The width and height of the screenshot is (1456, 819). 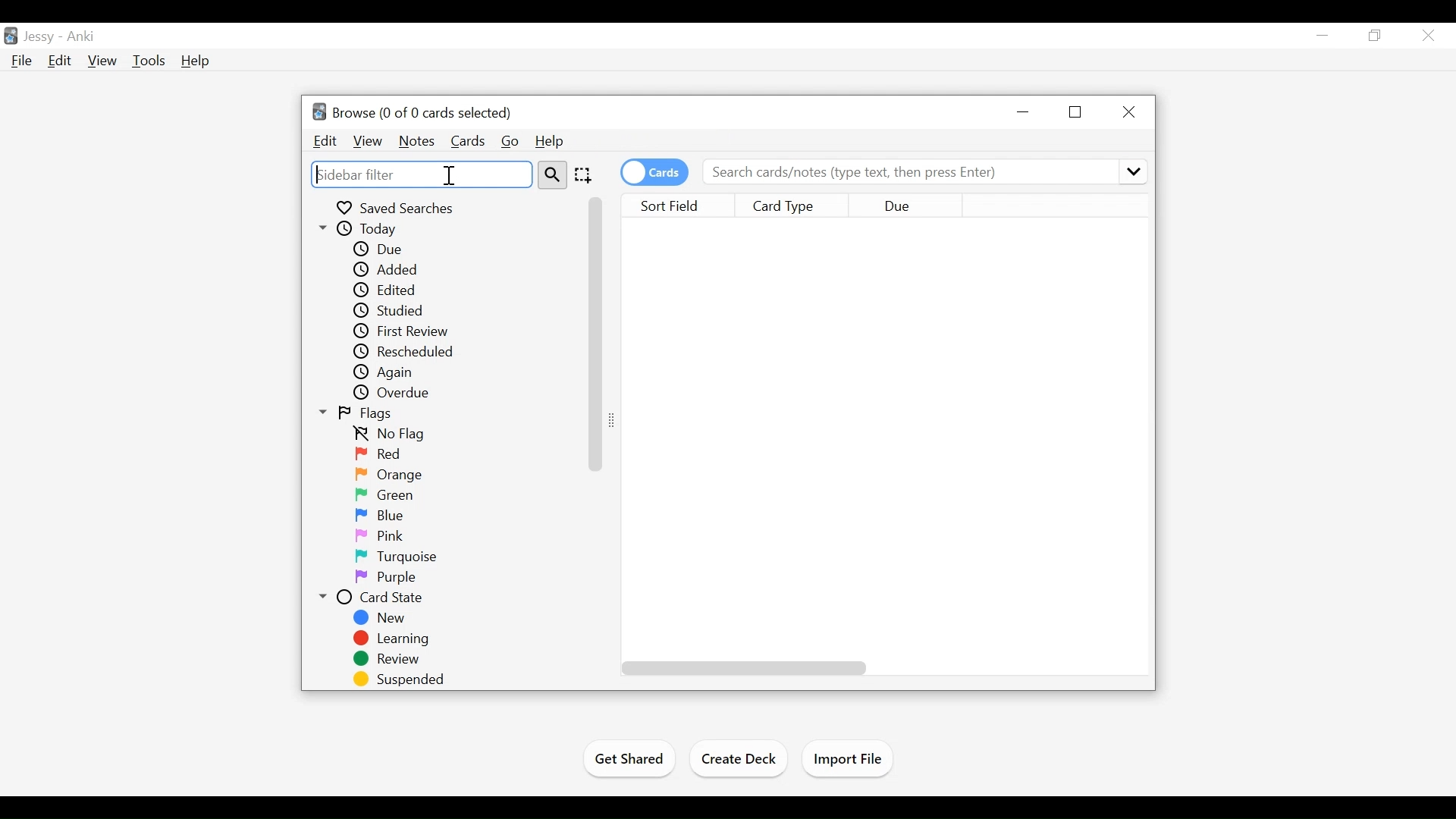 What do you see at coordinates (24, 61) in the screenshot?
I see `File` at bounding box center [24, 61].